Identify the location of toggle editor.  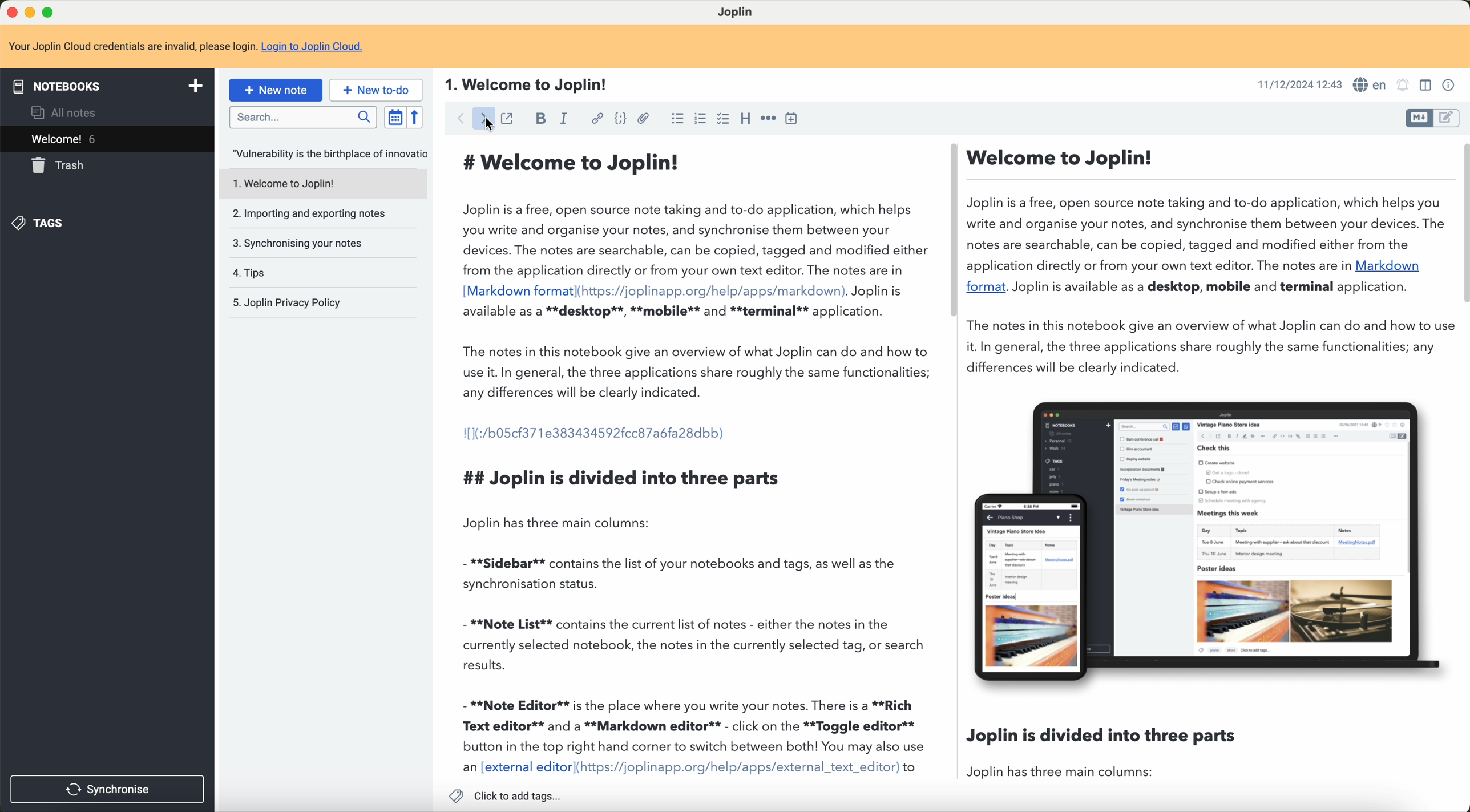
(1419, 118).